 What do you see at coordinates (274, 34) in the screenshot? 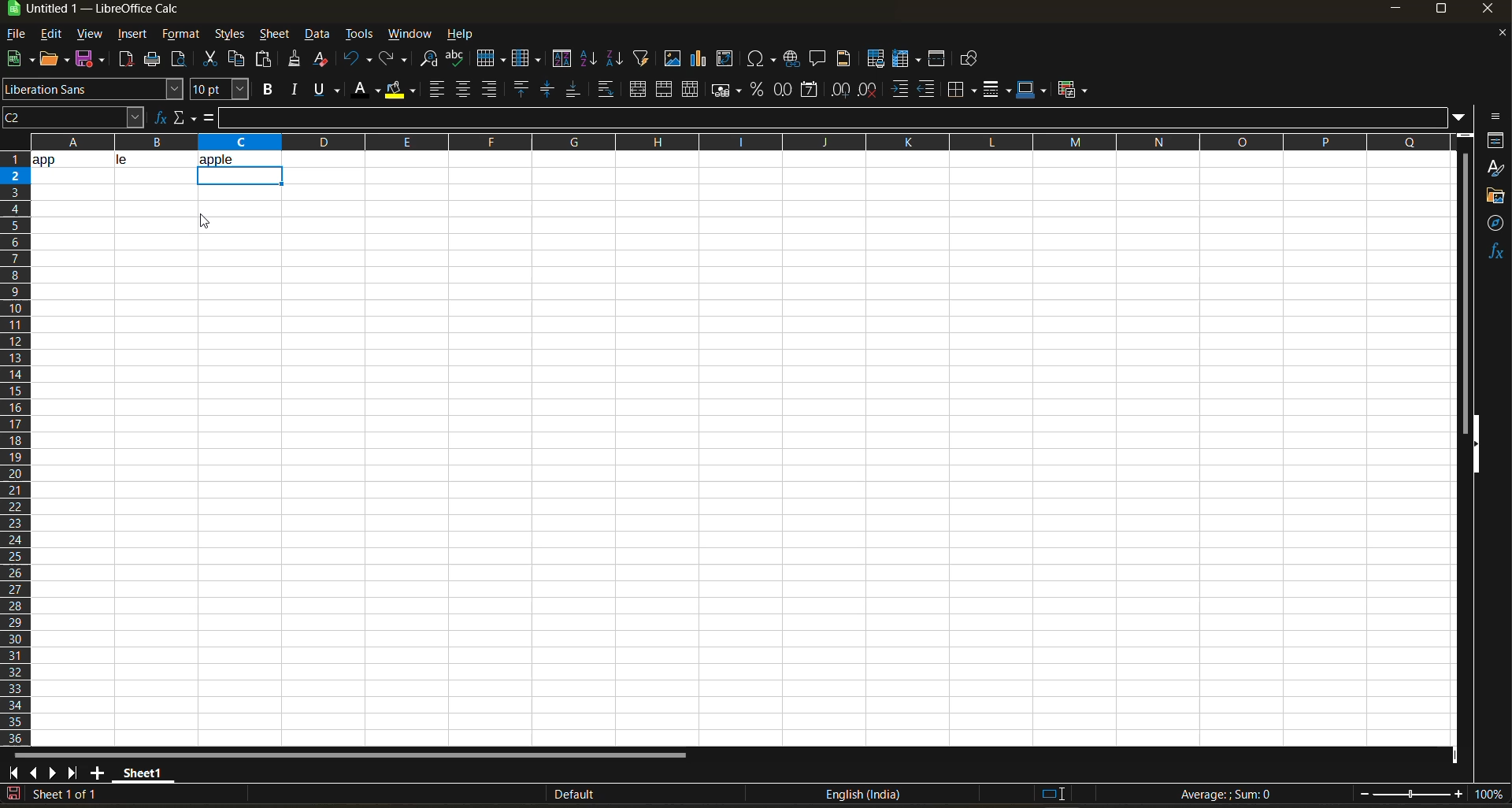
I see `sheet` at bounding box center [274, 34].